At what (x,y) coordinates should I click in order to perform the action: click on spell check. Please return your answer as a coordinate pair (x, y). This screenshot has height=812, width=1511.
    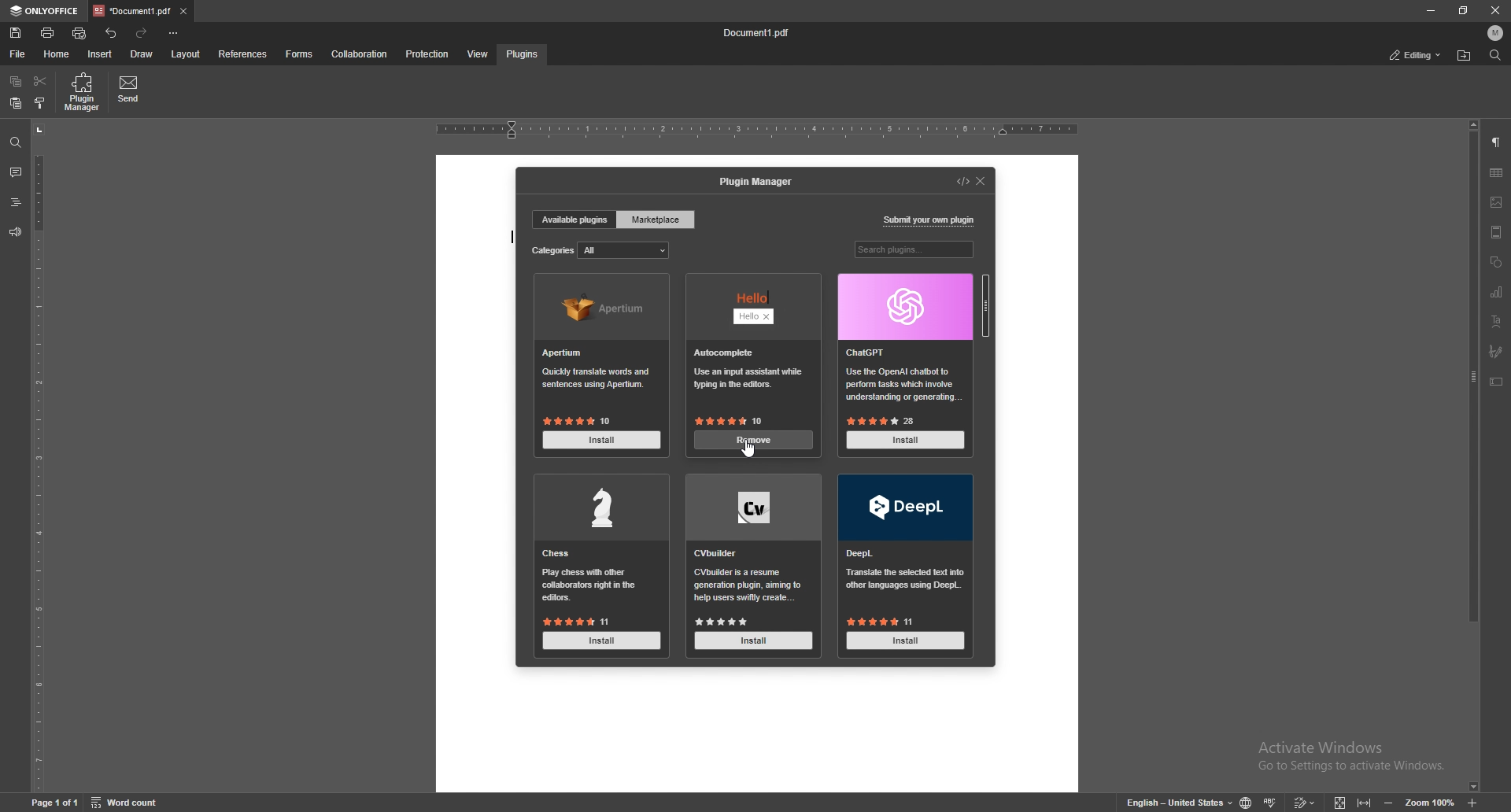
    Looking at the image, I should click on (1275, 803).